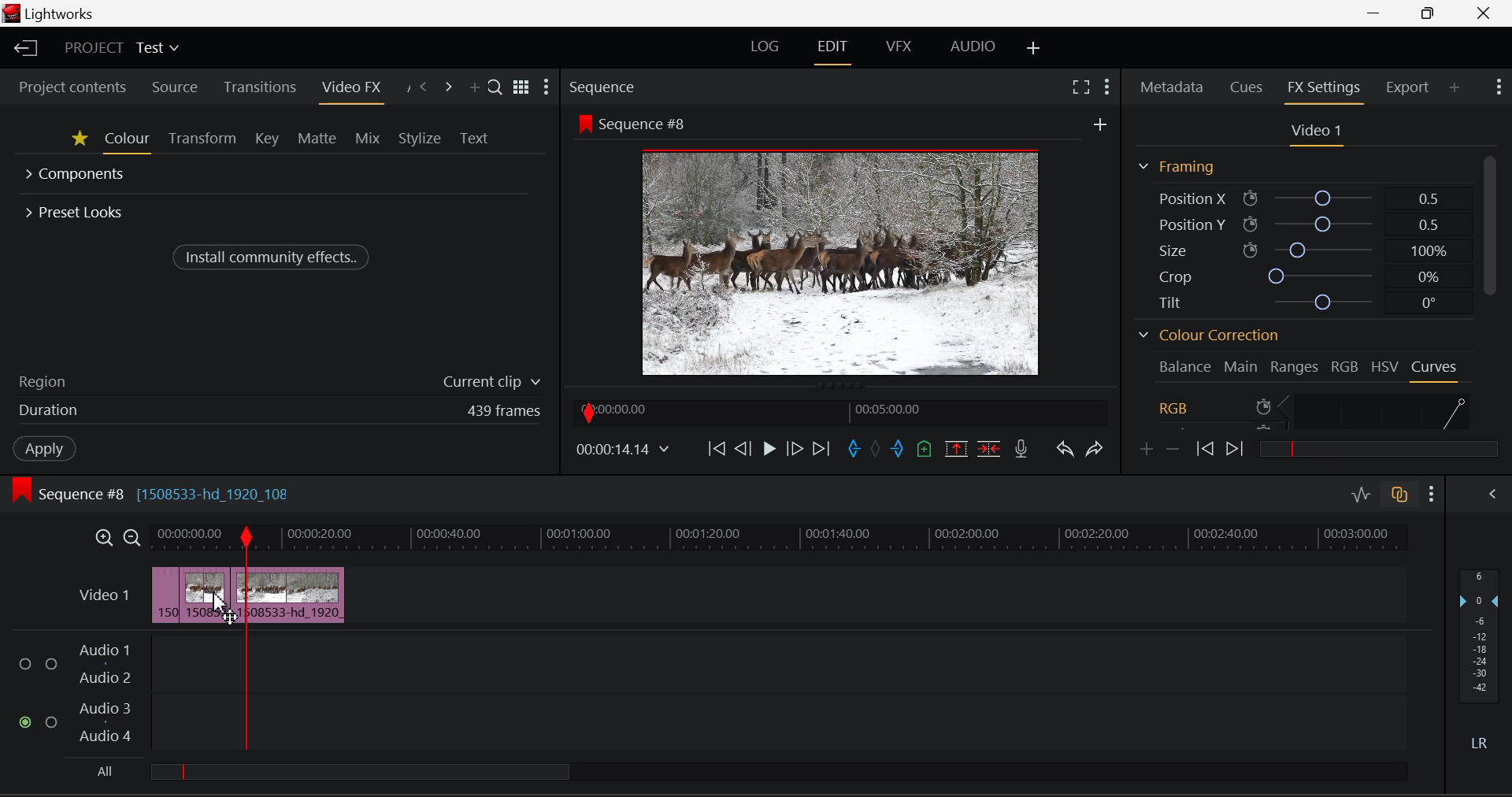 The width and height of the screenshot is (1512, 797). Describe the element at coordinates (273, 256) in the screenshot. I see `Install community effects` at that location.